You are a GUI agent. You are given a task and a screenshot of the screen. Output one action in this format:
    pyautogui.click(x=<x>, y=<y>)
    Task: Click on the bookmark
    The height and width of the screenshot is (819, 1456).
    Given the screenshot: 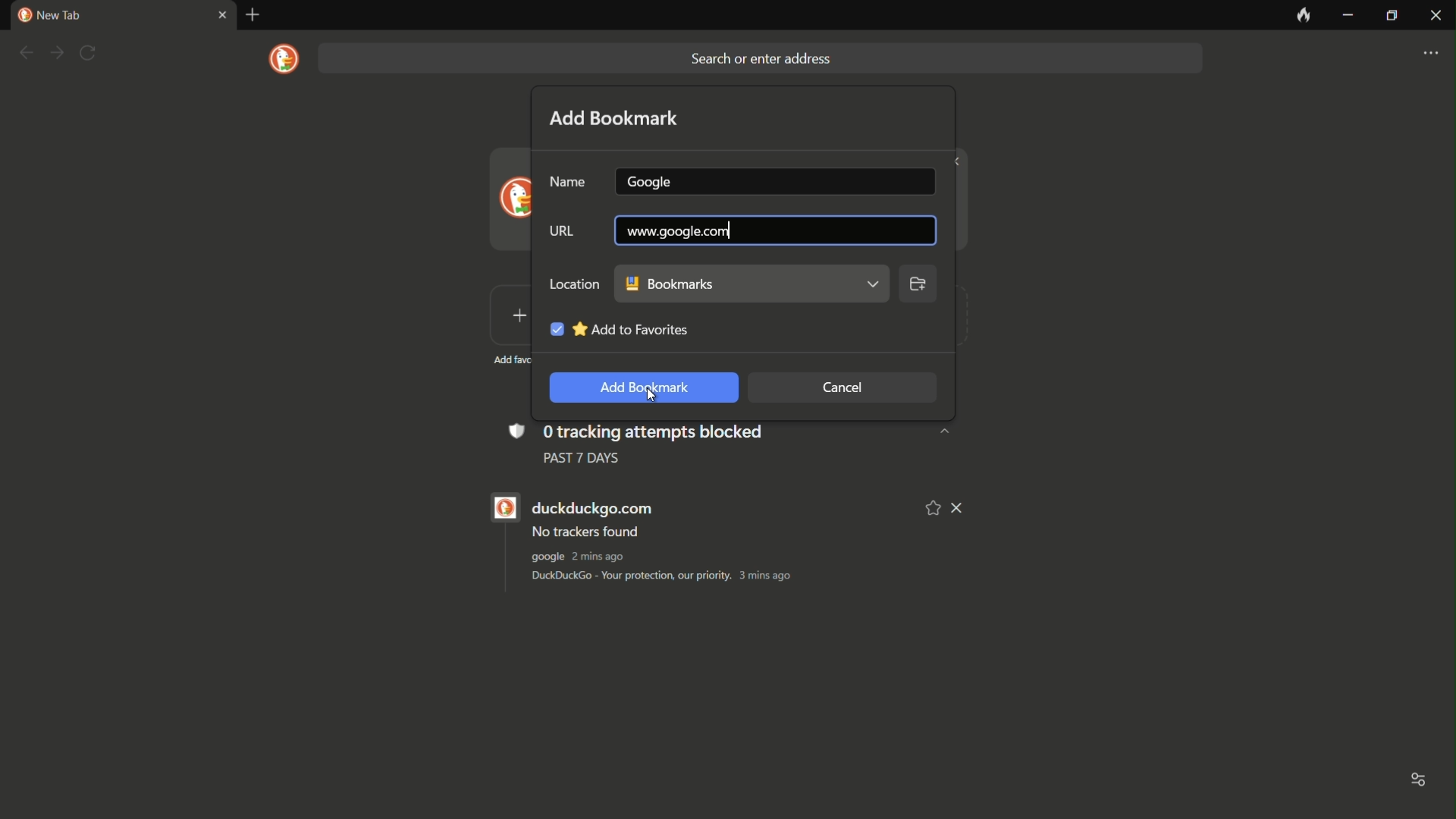 What is the action you would take?
    pyautogui.click(x=752, y=284)
    